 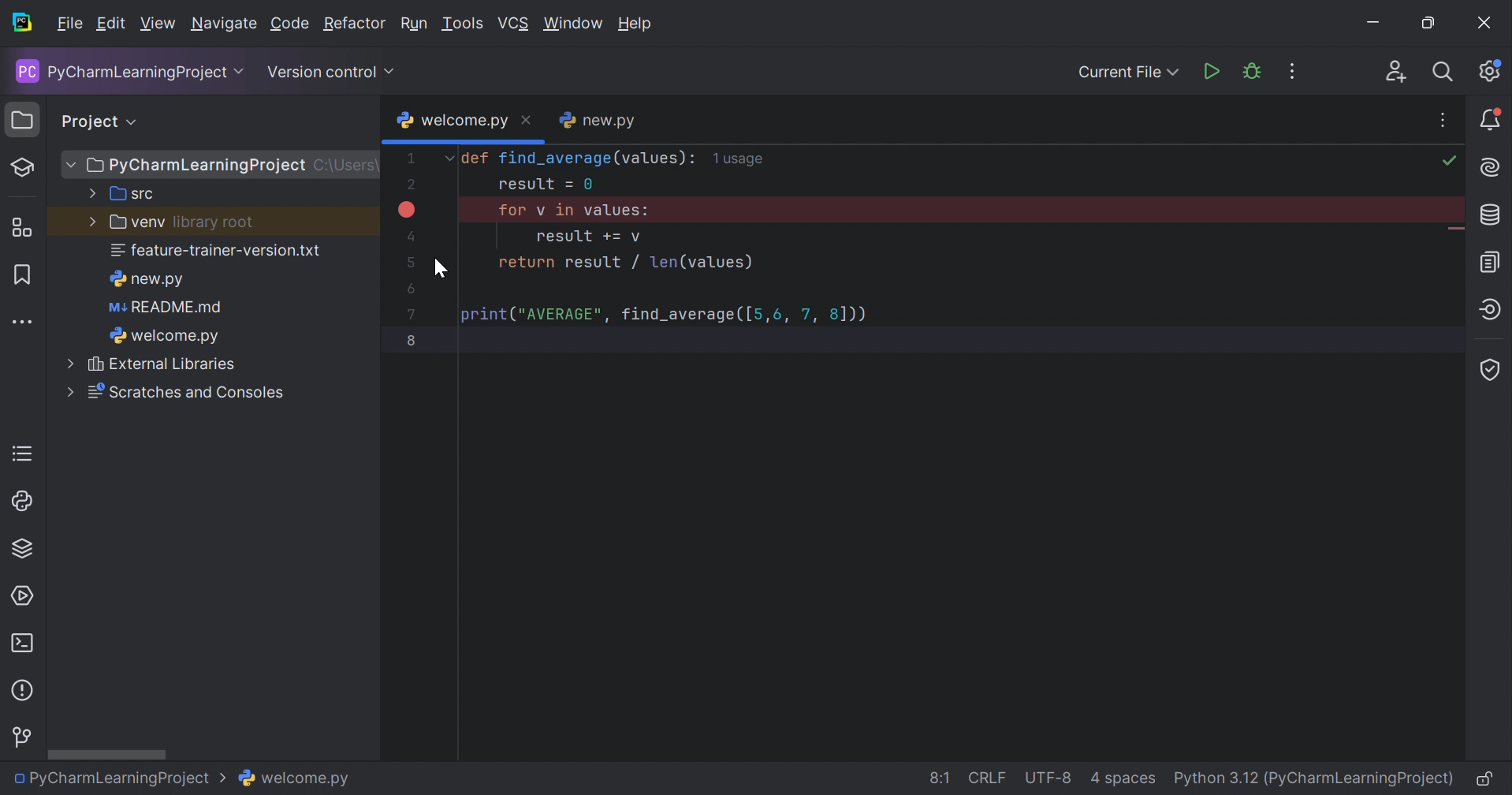 What do you see at coordinates (297, 781) in the screenshot?
I see `welcome.py` at bounding box center [297, 781].